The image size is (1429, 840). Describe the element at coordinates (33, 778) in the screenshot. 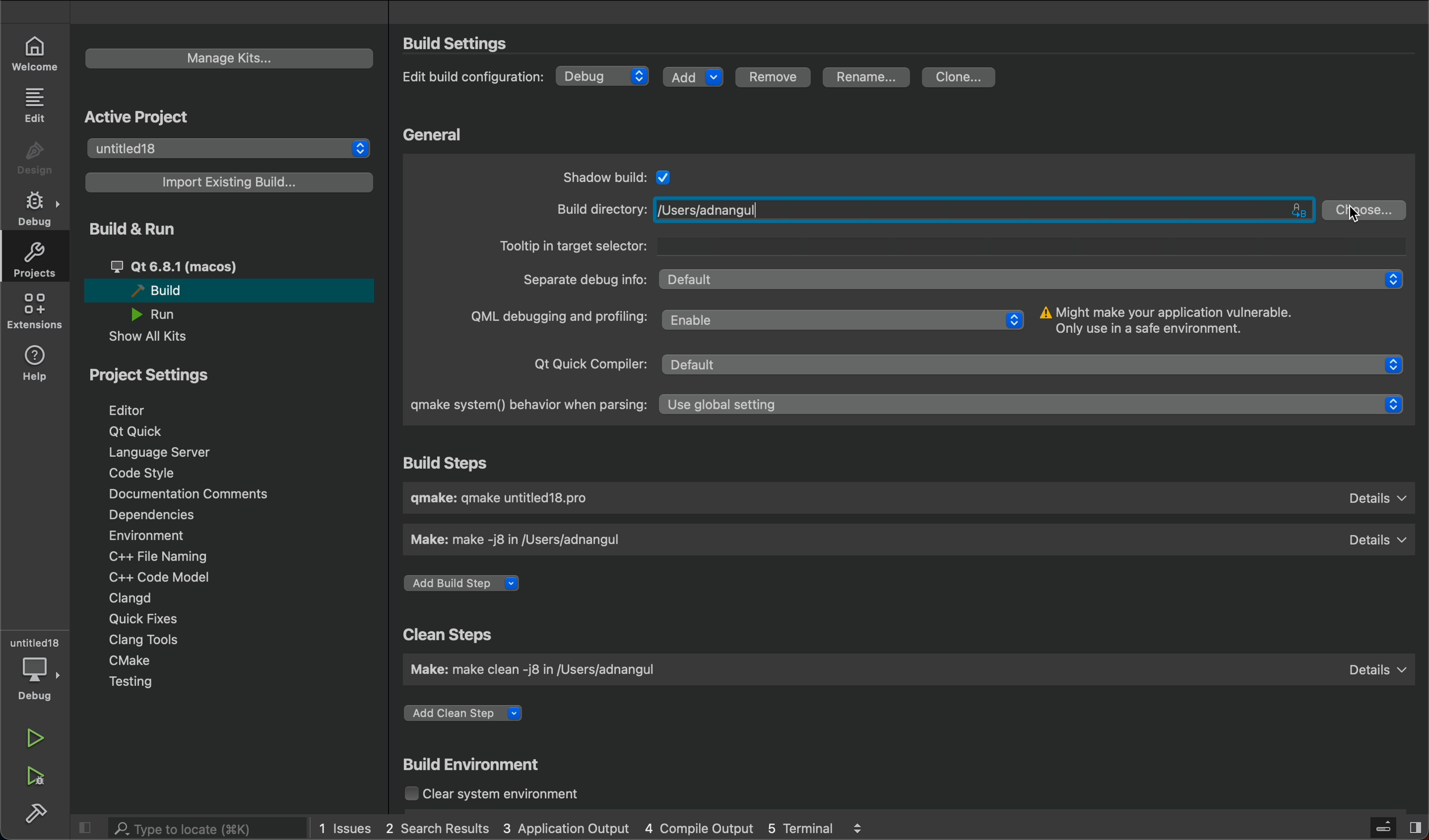

I see `run debug` at that location.